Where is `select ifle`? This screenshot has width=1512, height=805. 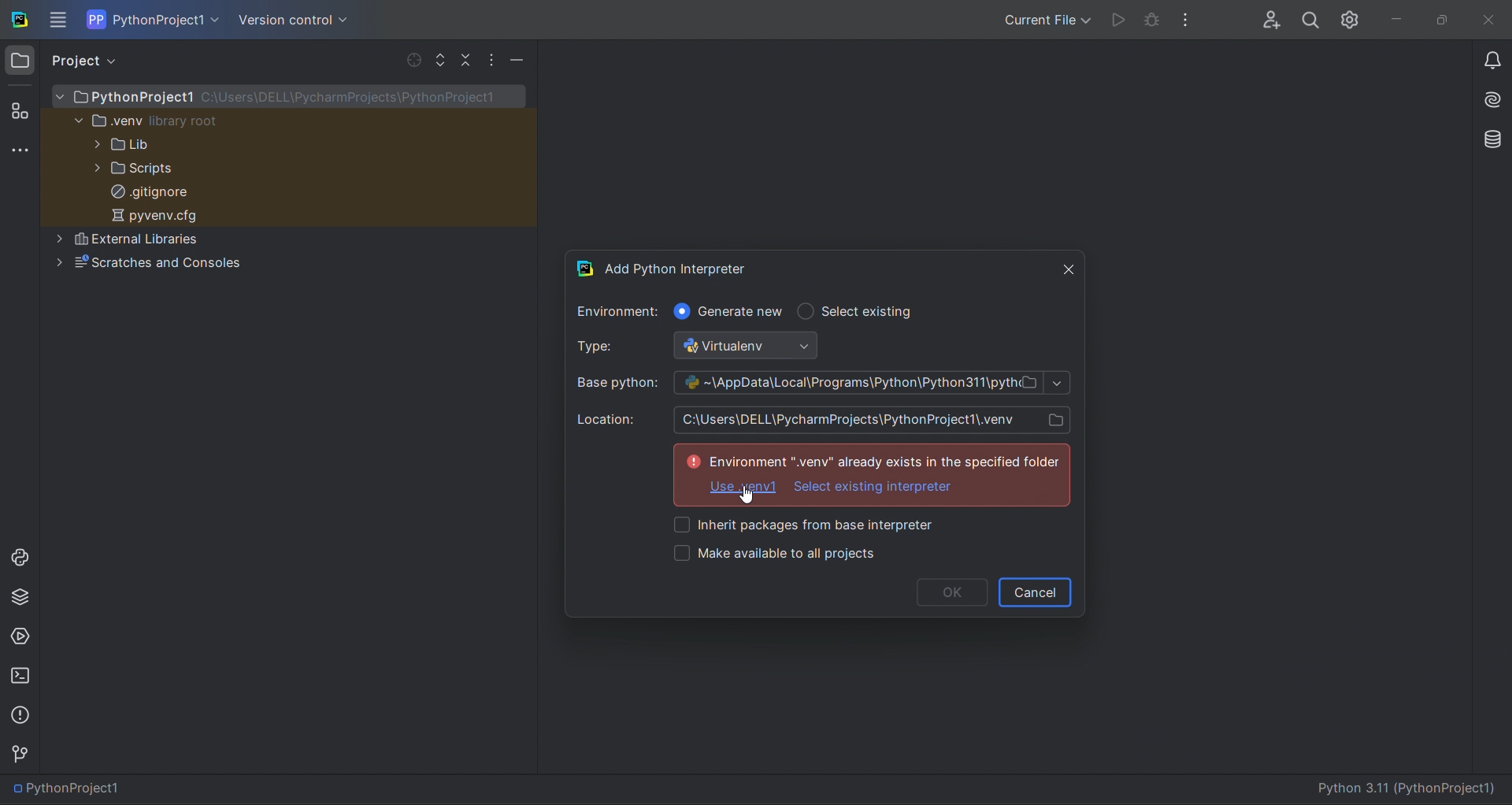
select ifle is located at coordinates (409, 58).